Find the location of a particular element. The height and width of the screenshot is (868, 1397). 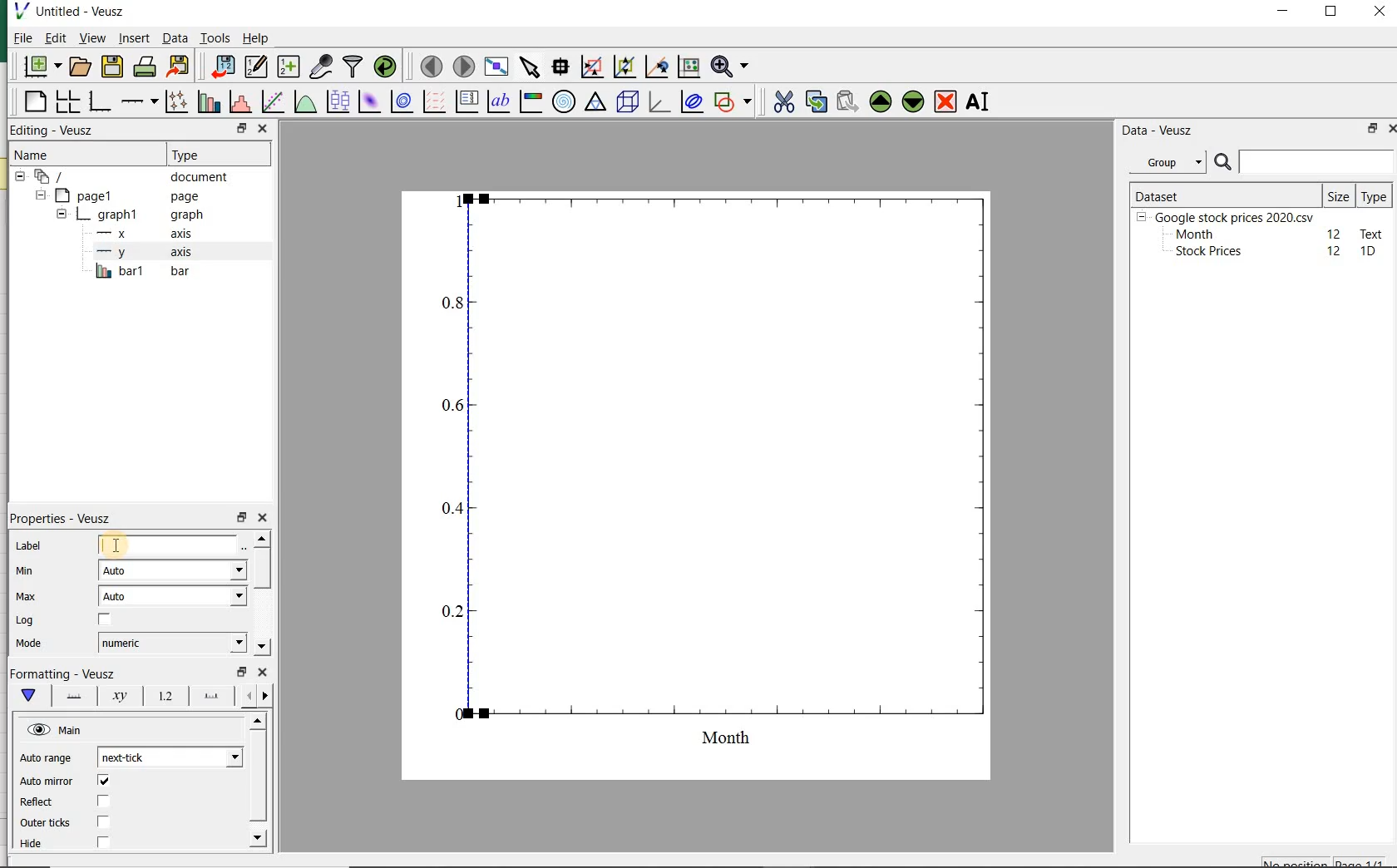

Auto is located at coordinates (172, 570).